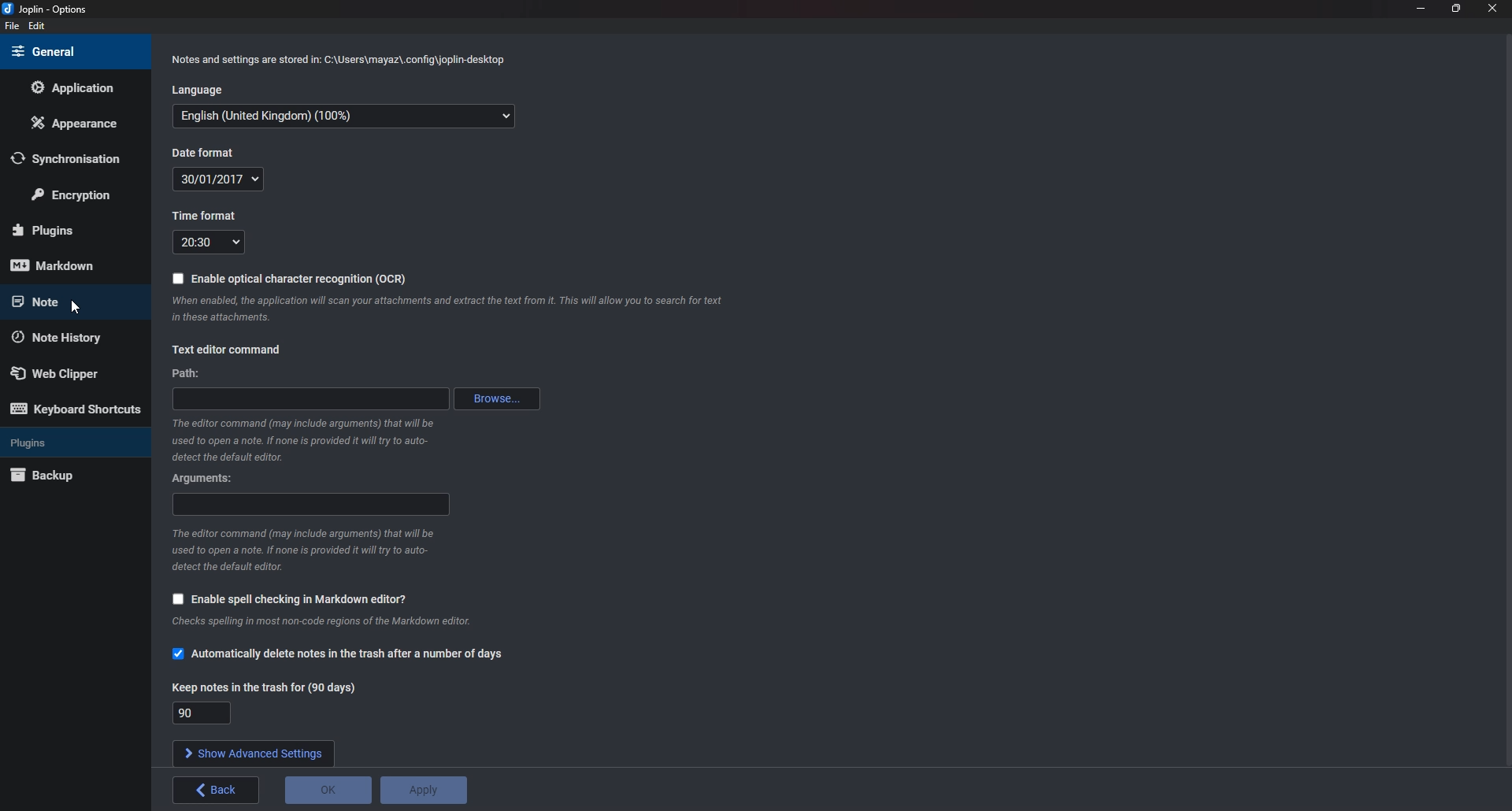 This screenshot has width=1512, height=811. Describe the element at coordinates (214, 787) in the screenshot. I see `back` at that location.